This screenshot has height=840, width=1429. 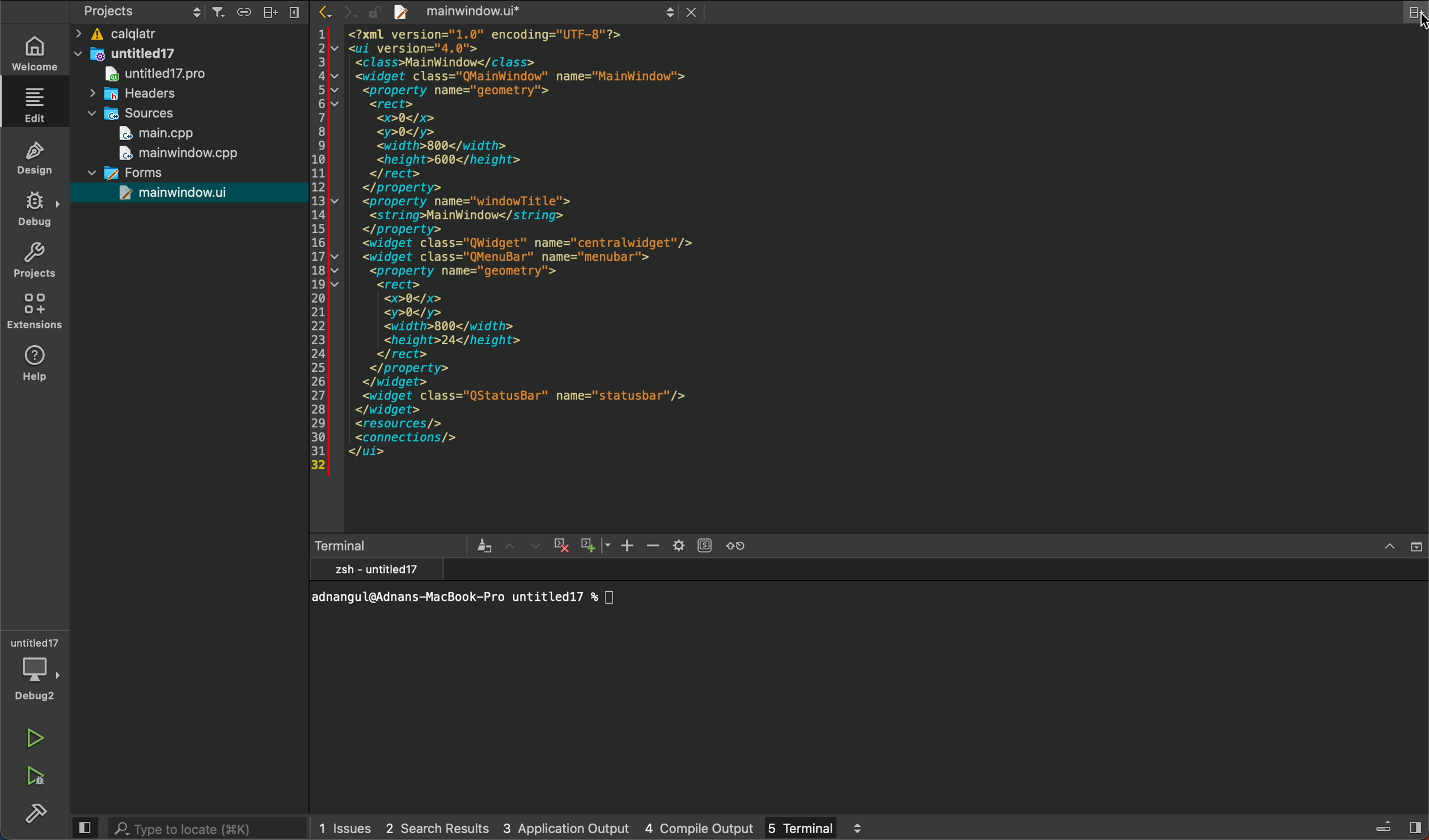 What do you see at coordinates (38, 105) in the screenshot?
I see `editor` at bounding box center [38, 105].